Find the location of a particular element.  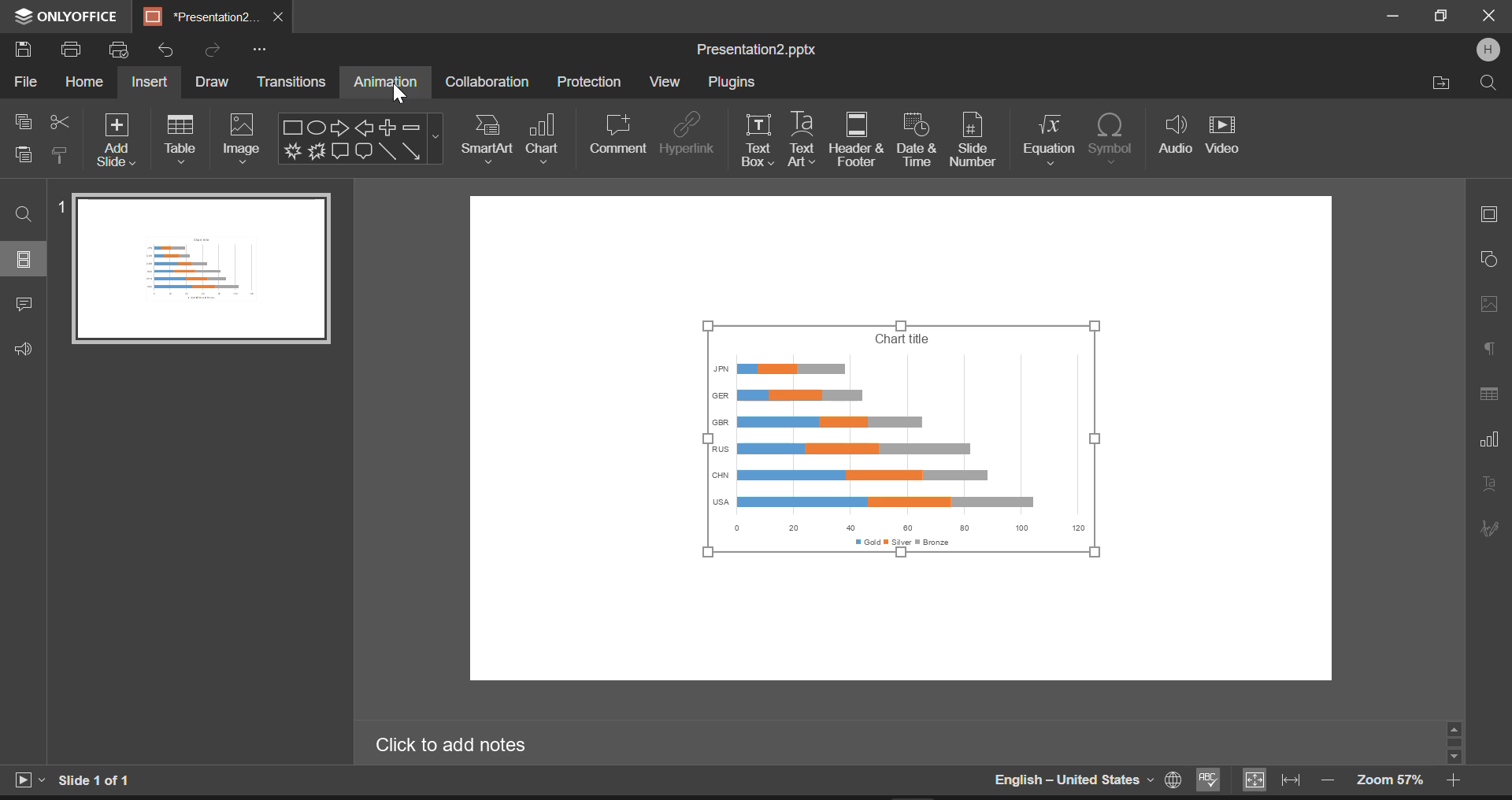

Fit to slide is located at coordinates (1253, 780).